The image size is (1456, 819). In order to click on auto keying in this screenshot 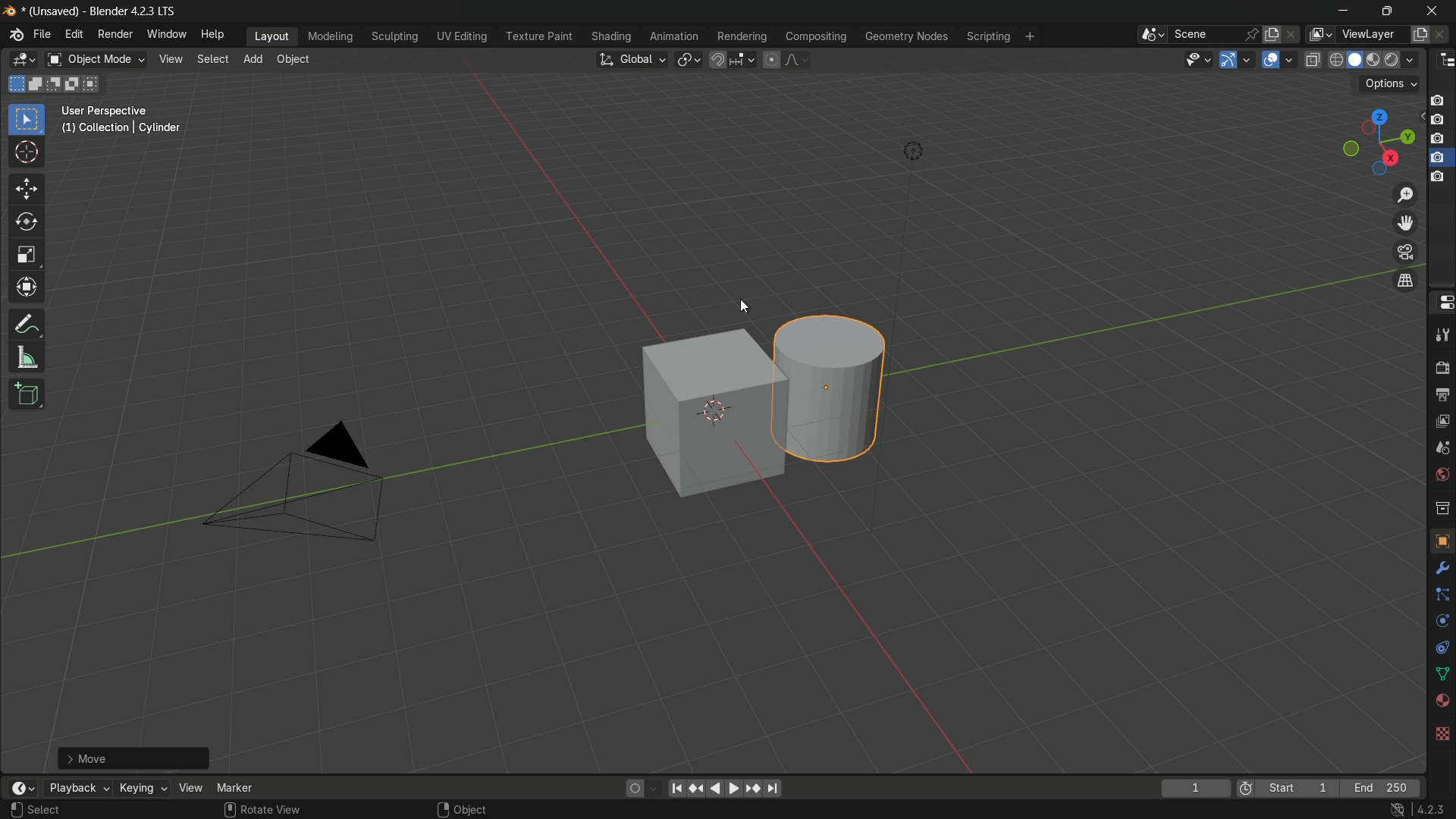, I will do `click(633, 789)`.